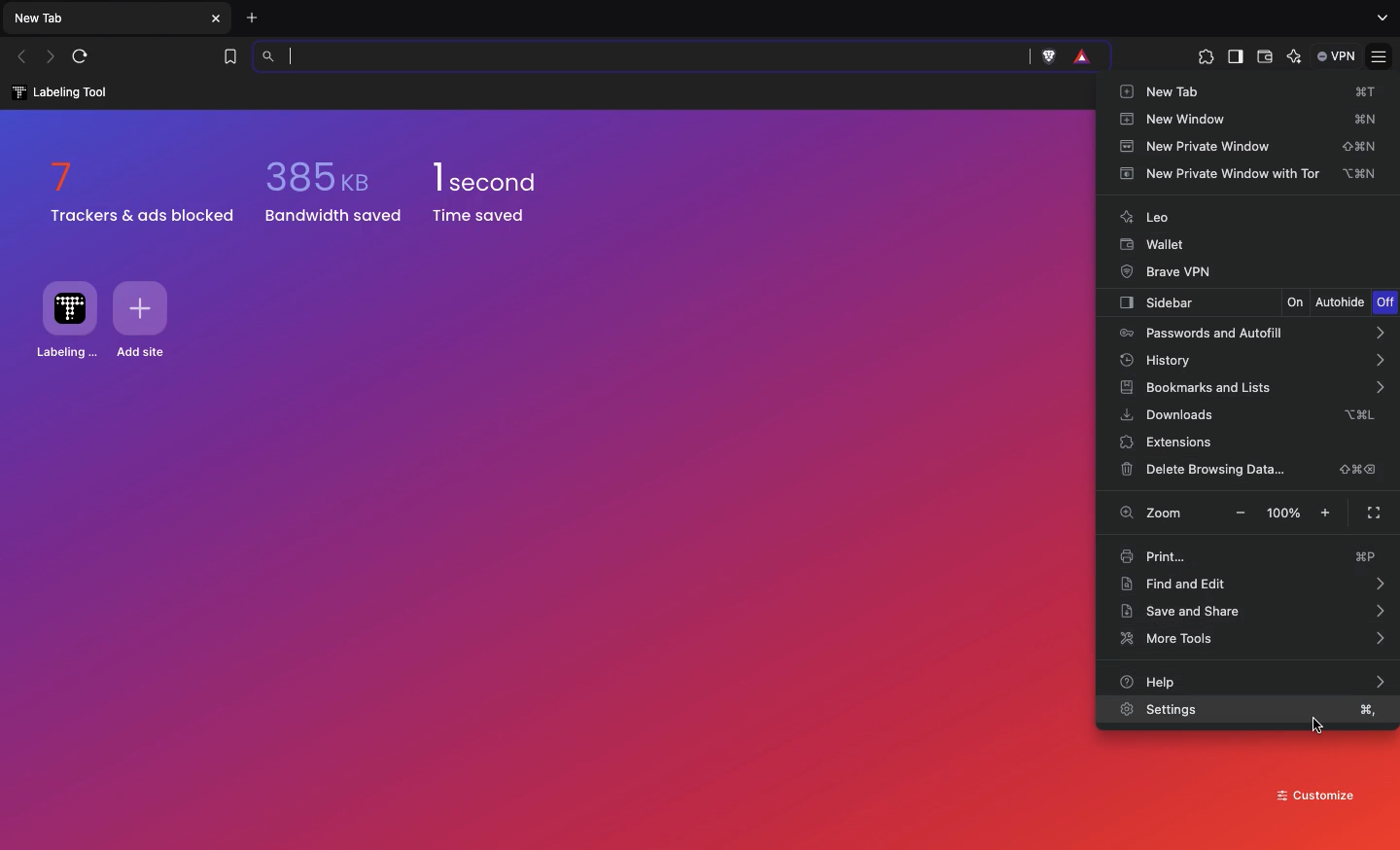 The height and width of the screenshot is (850, 1400). I want to click on Leo, so click(1143, 219).